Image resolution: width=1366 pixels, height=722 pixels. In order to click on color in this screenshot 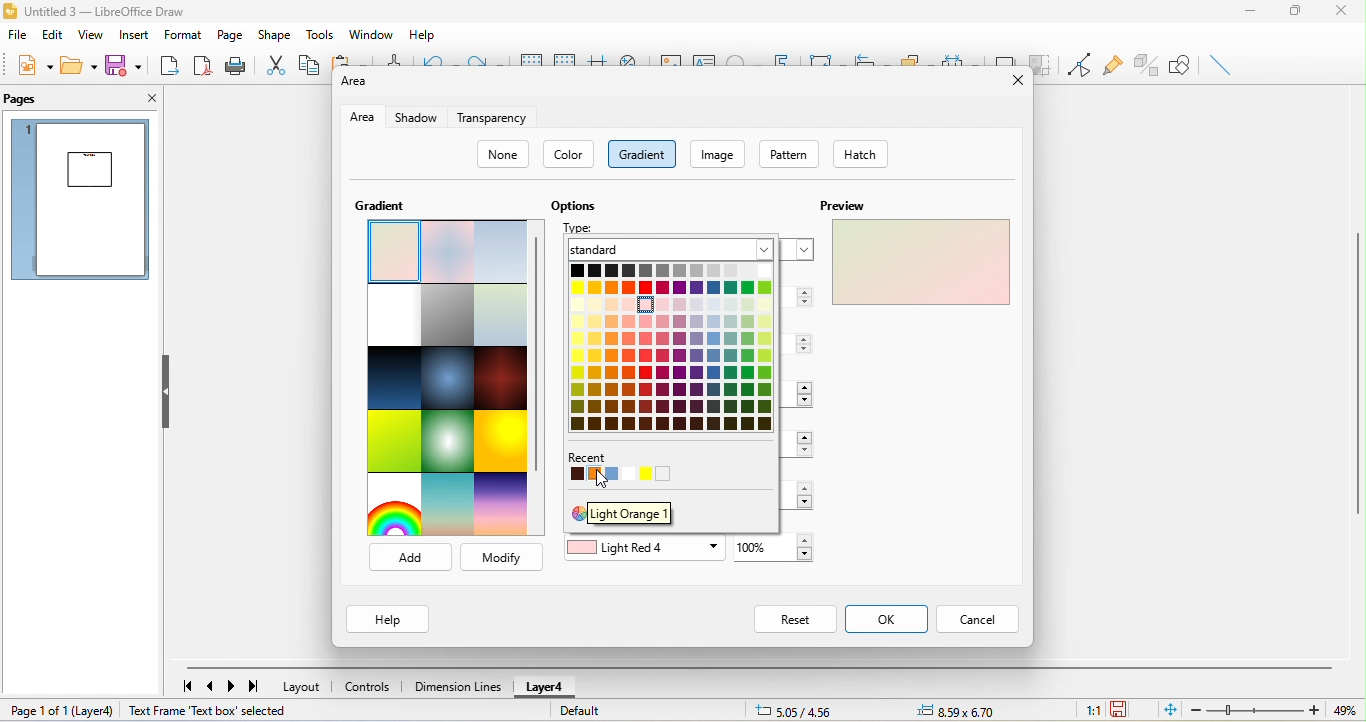, I will do `click(571, 155)`.